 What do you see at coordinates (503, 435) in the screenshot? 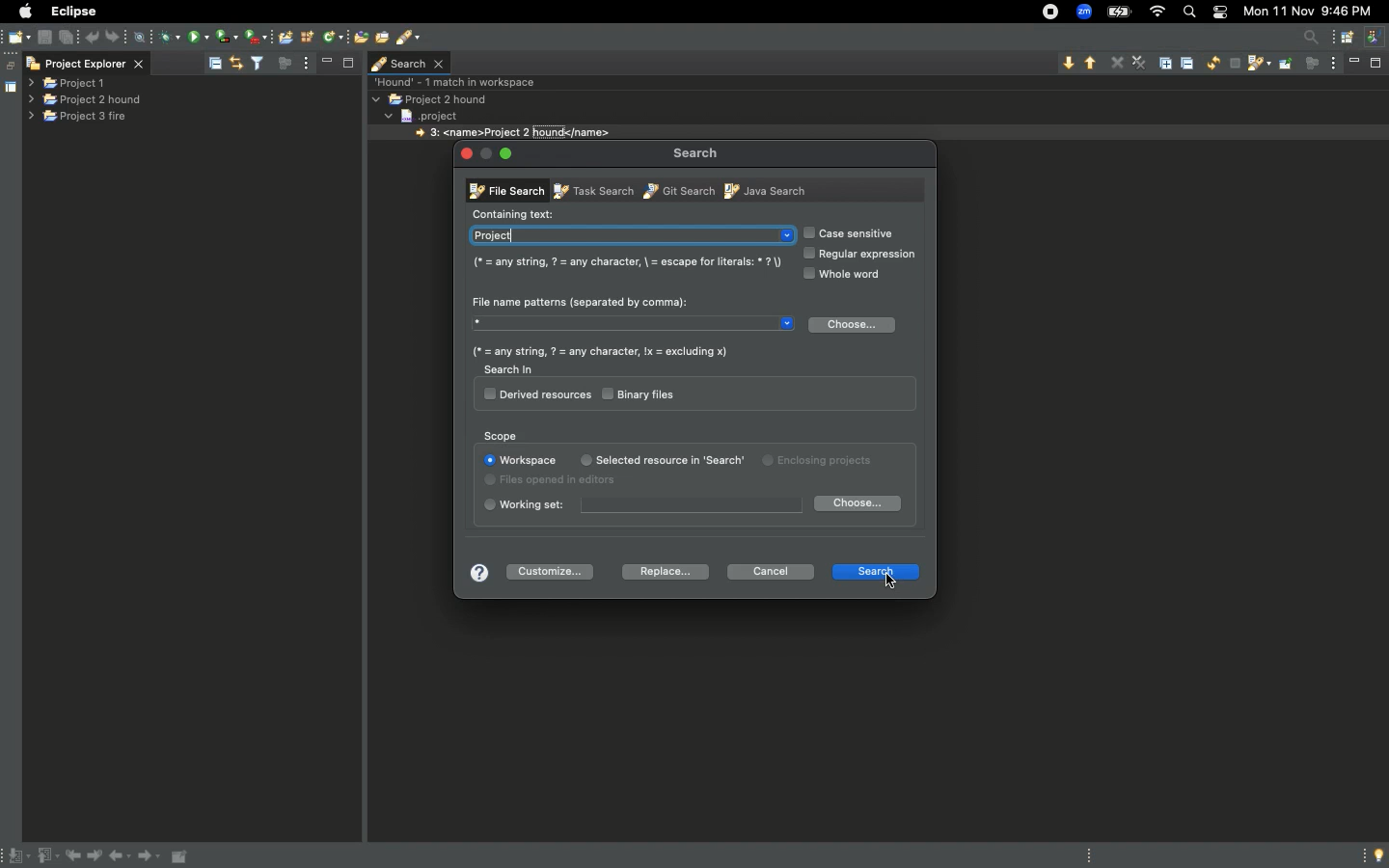
I see `Scope` at bounding box center [503, 435].